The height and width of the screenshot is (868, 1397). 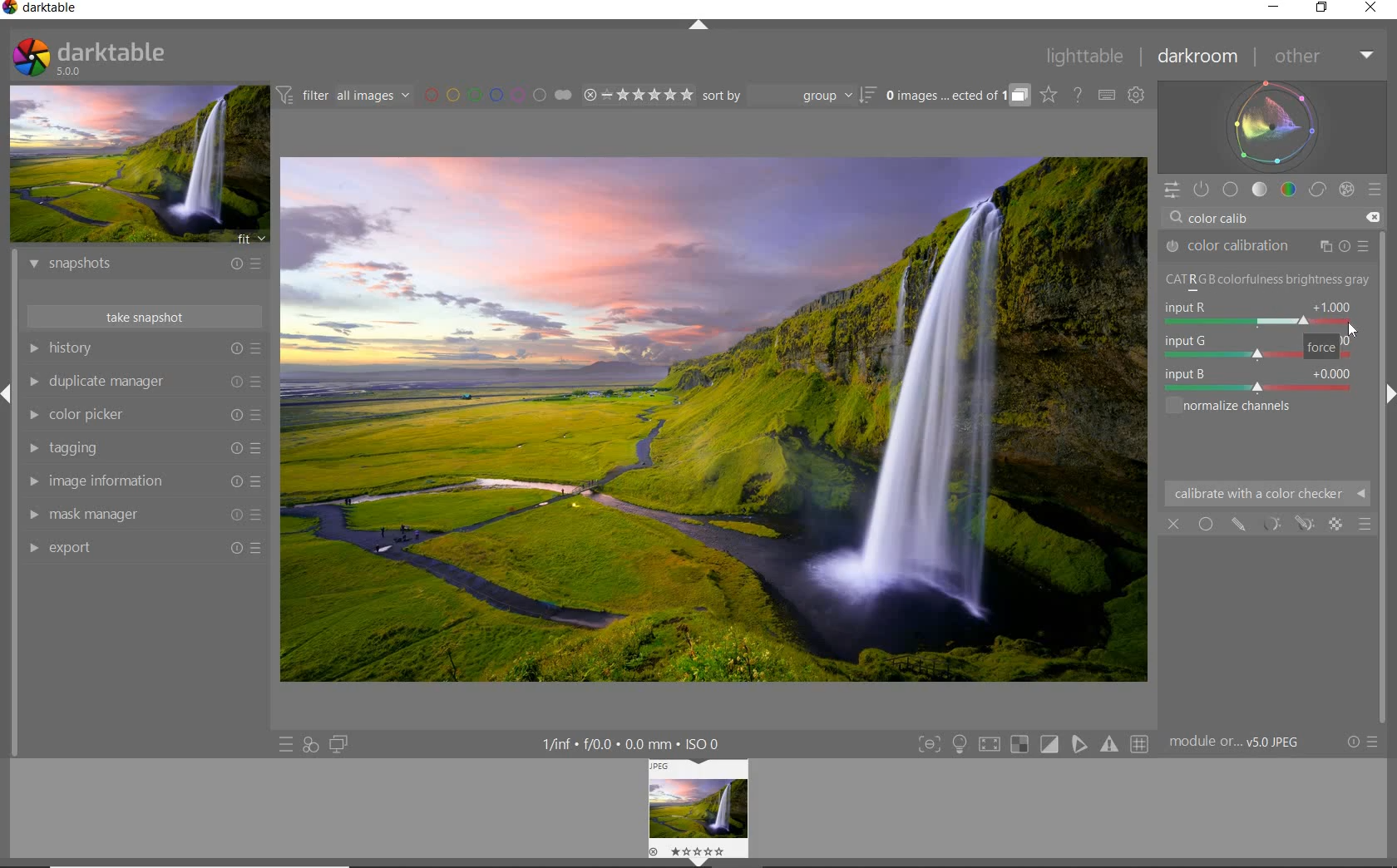 What do you see at coordinates (499, 96) in the screenshot?
I see `FILTER BY IMAGE COLOR LABEL` at bounding box center [499, 96].